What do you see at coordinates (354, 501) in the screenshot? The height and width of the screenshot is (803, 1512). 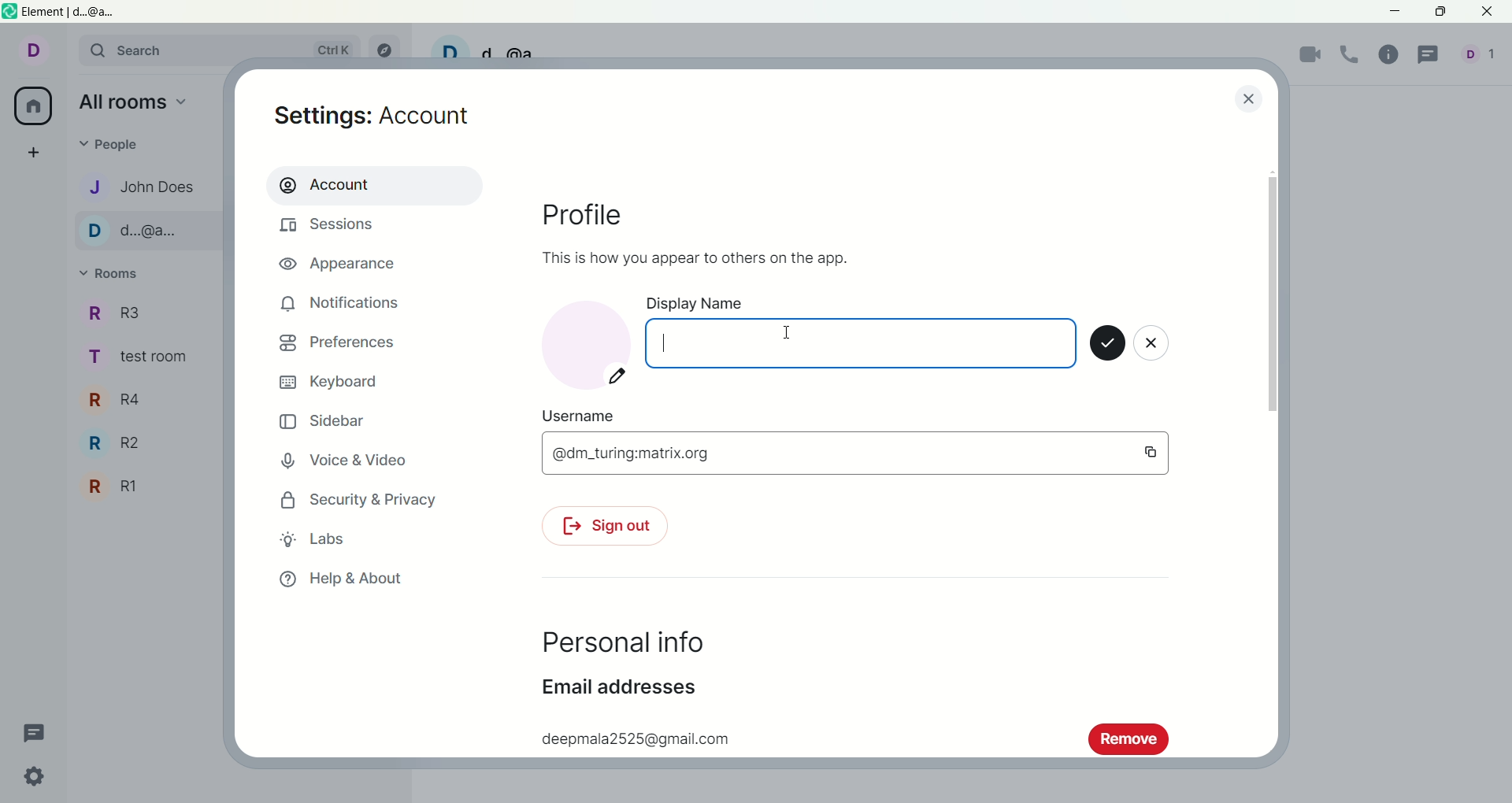 I see `security and privacy` at bounding box center [354, 501].